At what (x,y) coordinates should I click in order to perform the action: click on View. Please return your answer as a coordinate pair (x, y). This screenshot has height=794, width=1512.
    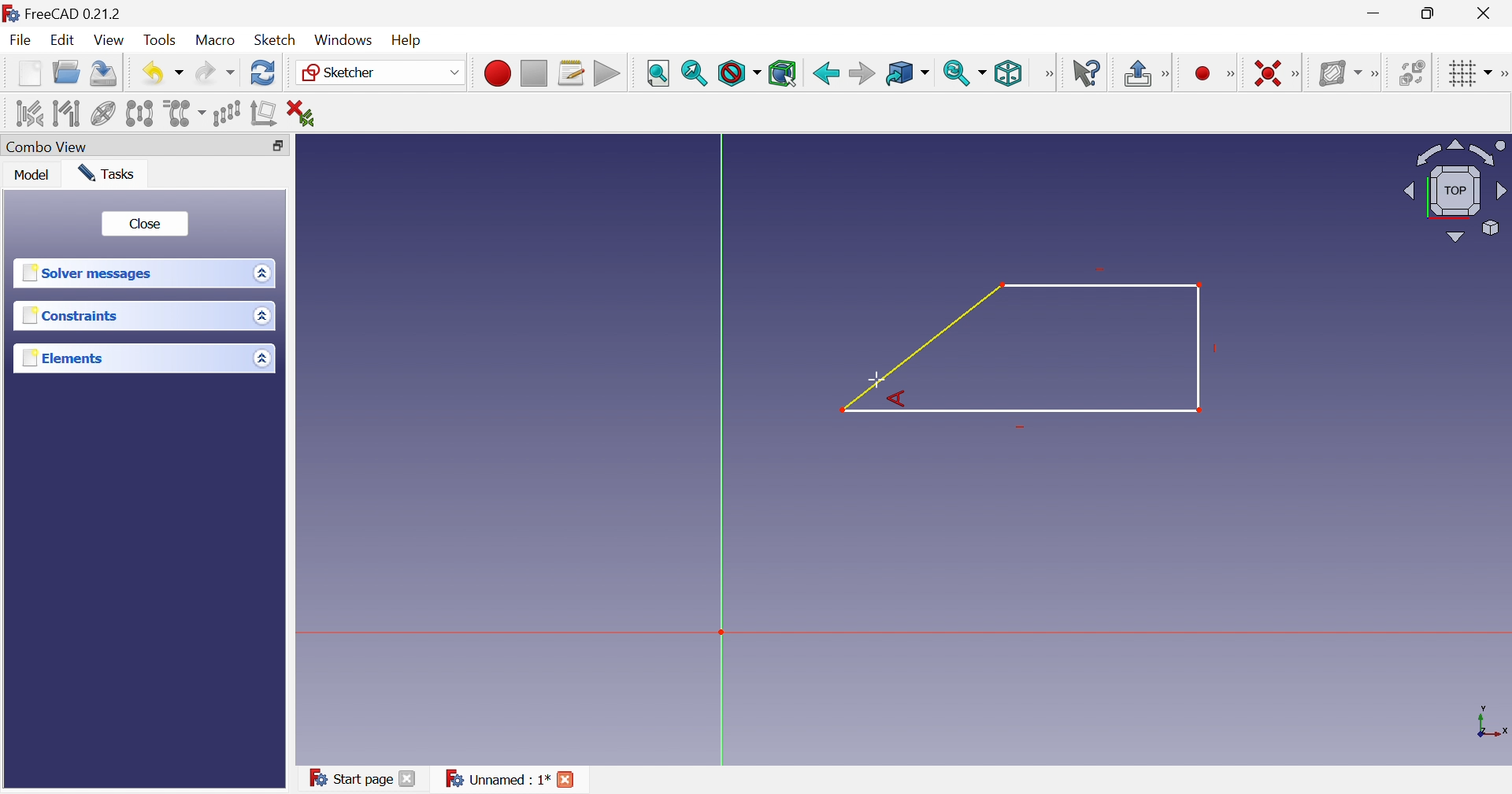
    Looking at the image, I should click on (110, 40).